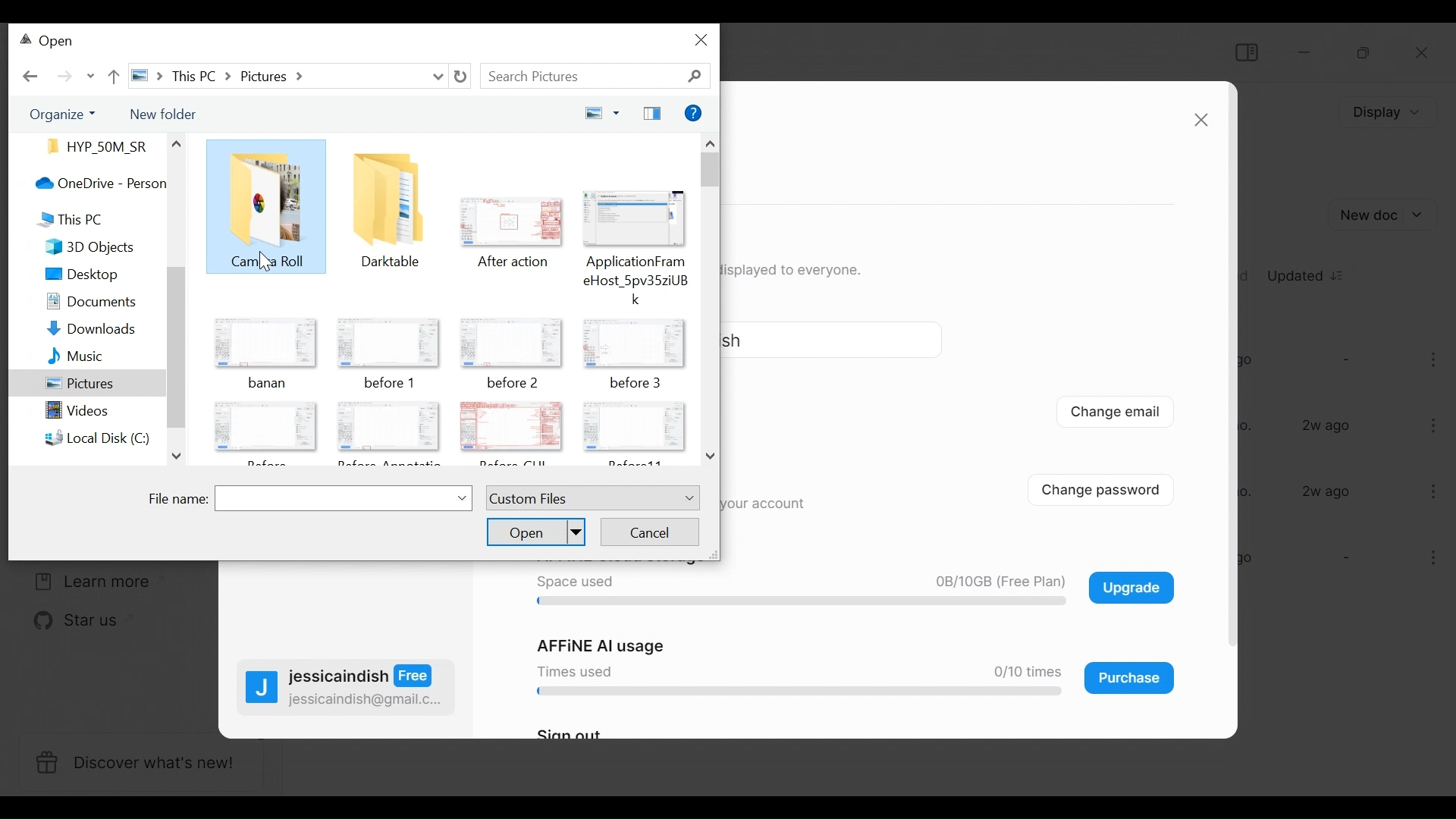  What do you see at coordinates (93, 146) in the screenshot?
I see `Files` at bounding box center [93, 146].